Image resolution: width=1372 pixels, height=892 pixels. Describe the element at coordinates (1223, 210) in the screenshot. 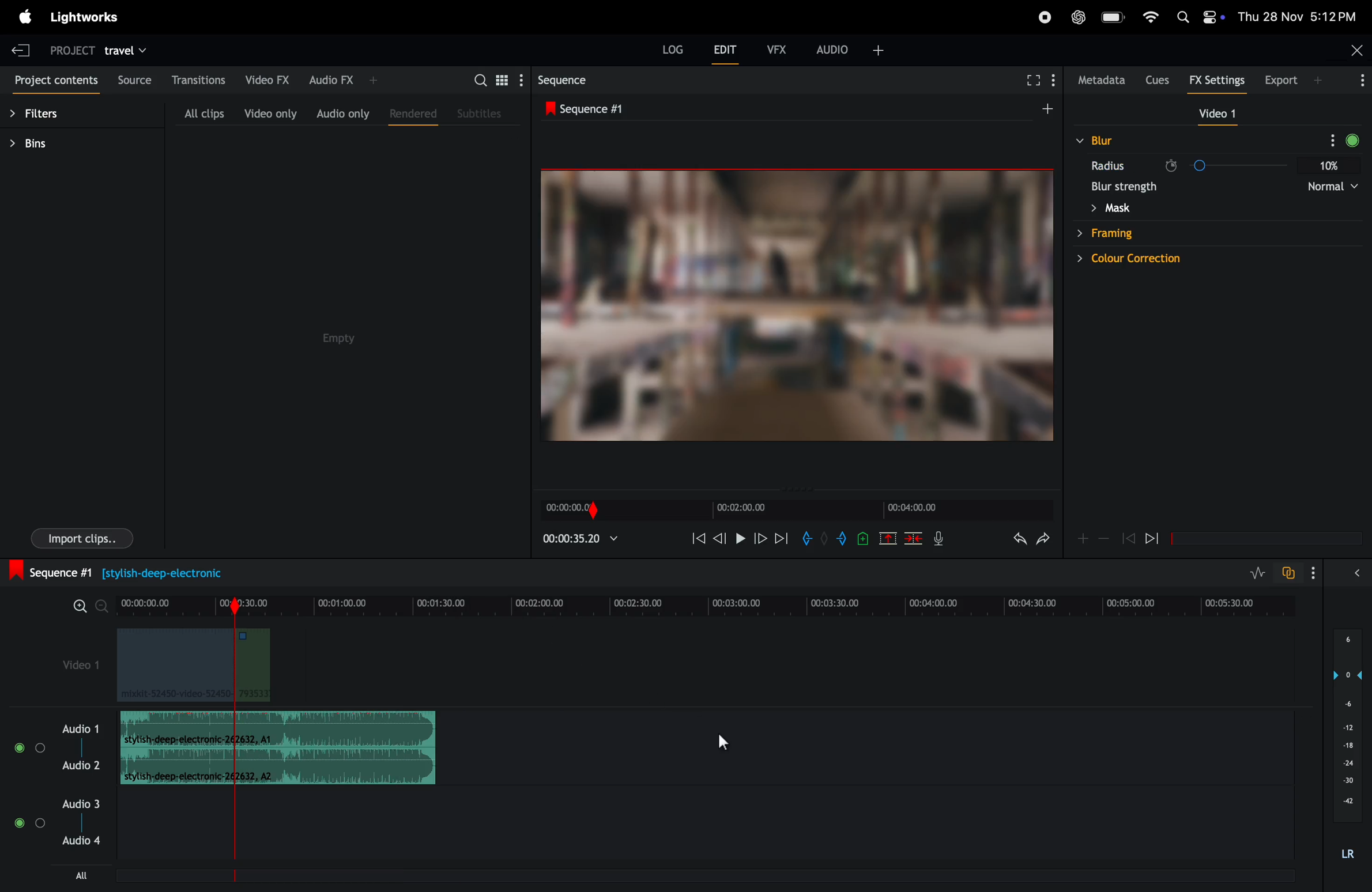

I see `mask` at that location.